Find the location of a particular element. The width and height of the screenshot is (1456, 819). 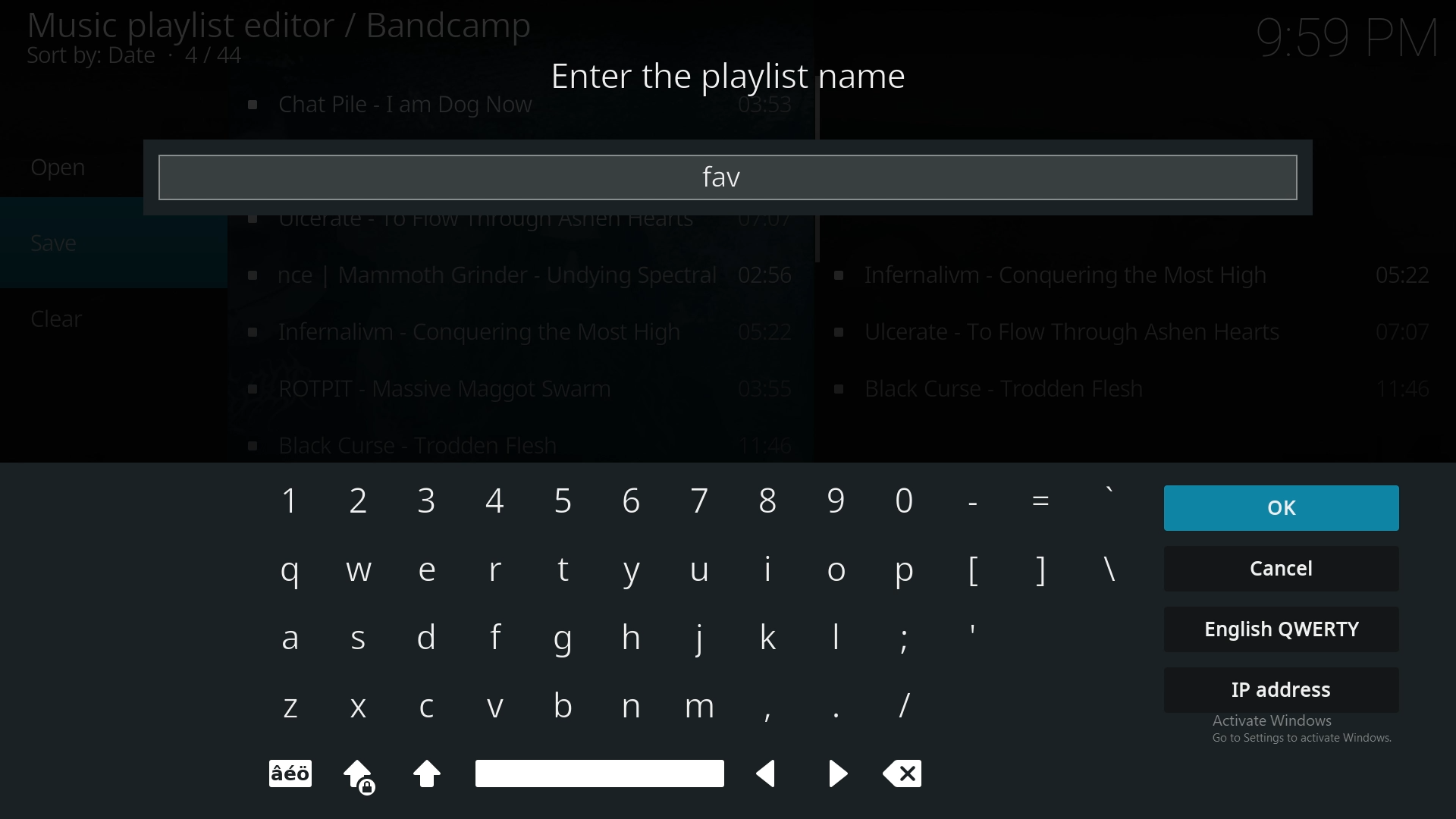

keyboard input is located at coordinates (498, 500).